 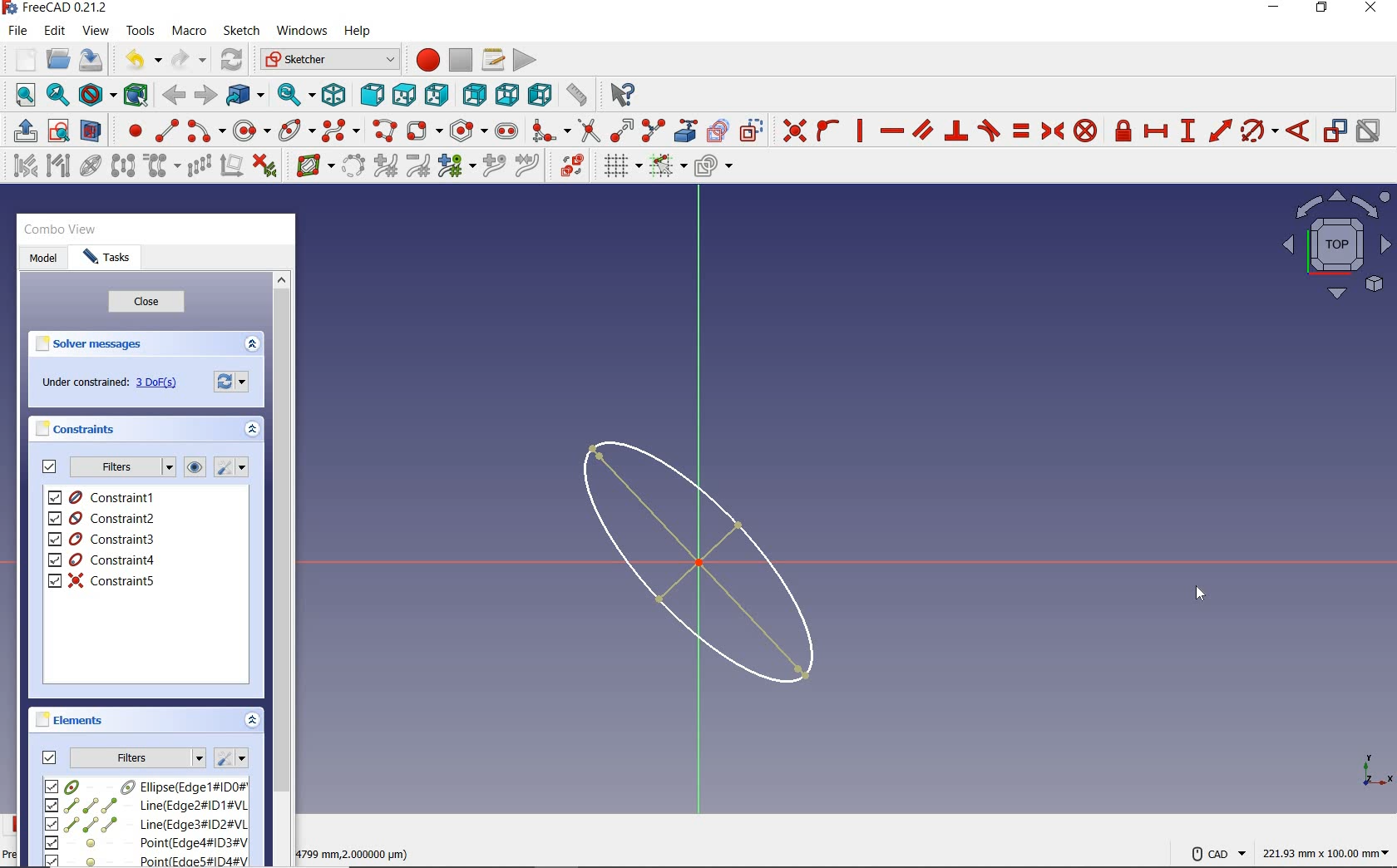 What do you see at coordinates (571, 165) in the screenshot?
I see `switch virtual space` at bounding box center [571, 165].